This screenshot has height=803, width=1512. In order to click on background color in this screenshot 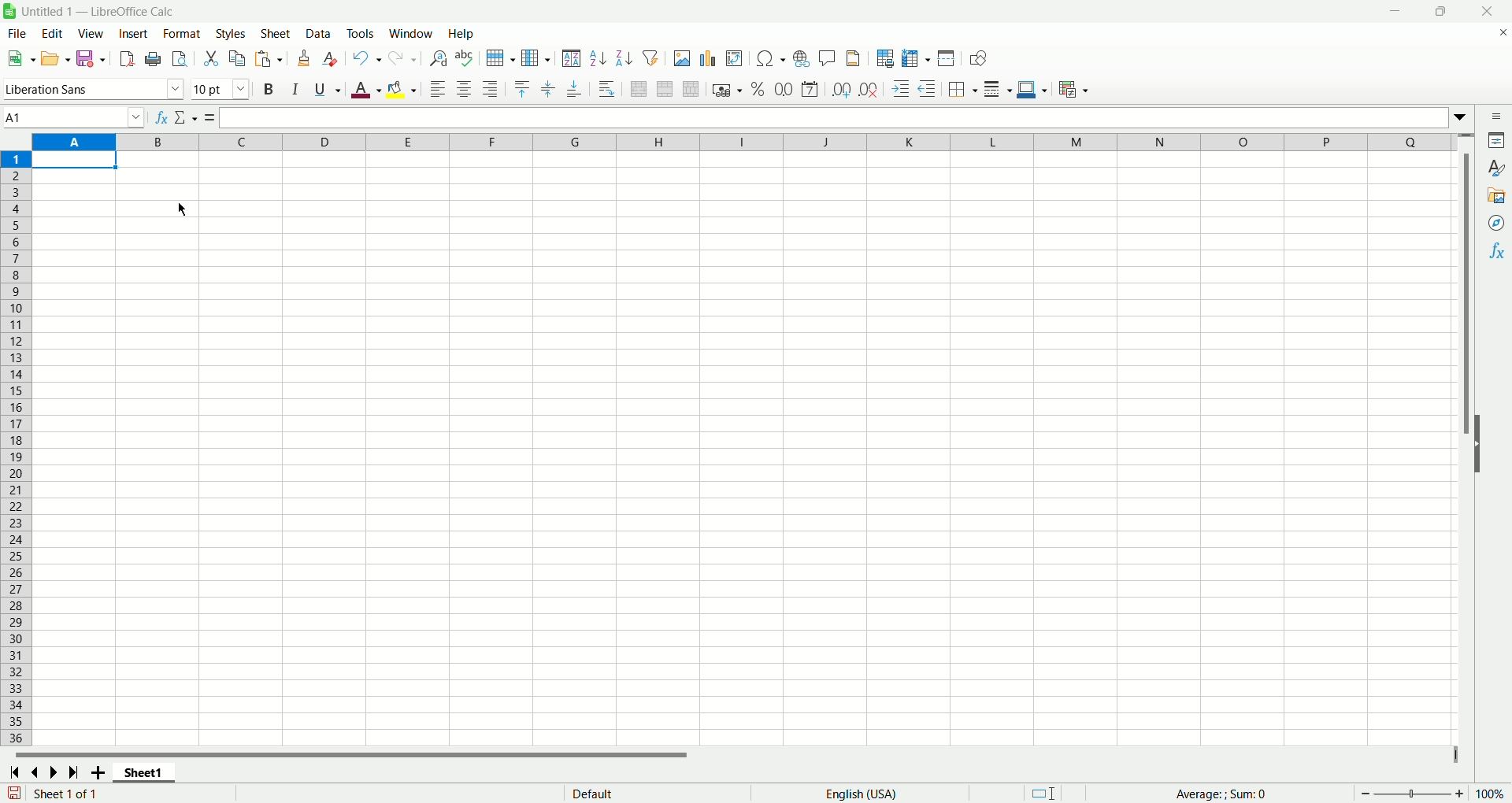, I will do `click(403, 89)`.